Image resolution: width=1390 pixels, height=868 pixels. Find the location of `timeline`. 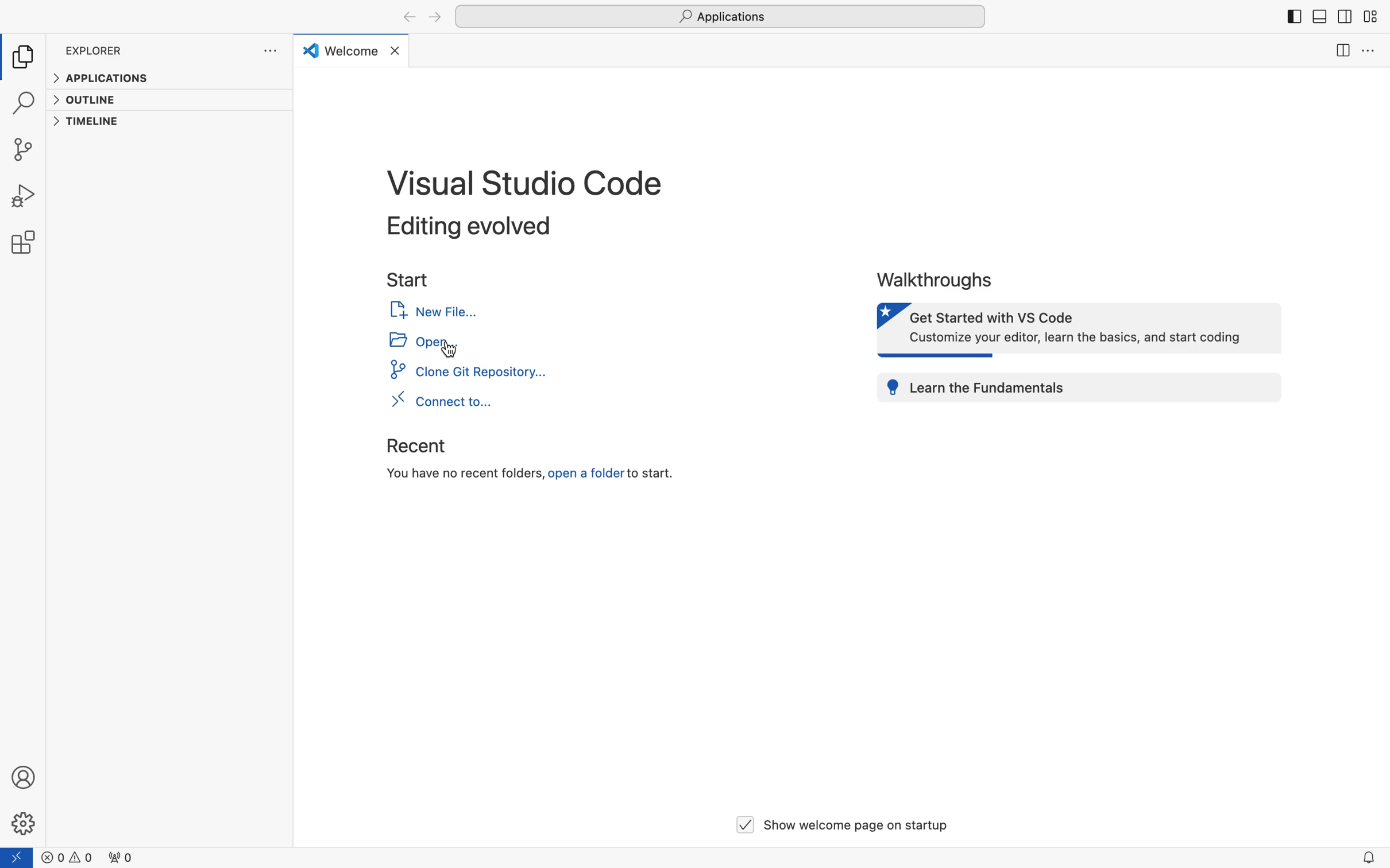

timeline is located at coordinates (90, 124).